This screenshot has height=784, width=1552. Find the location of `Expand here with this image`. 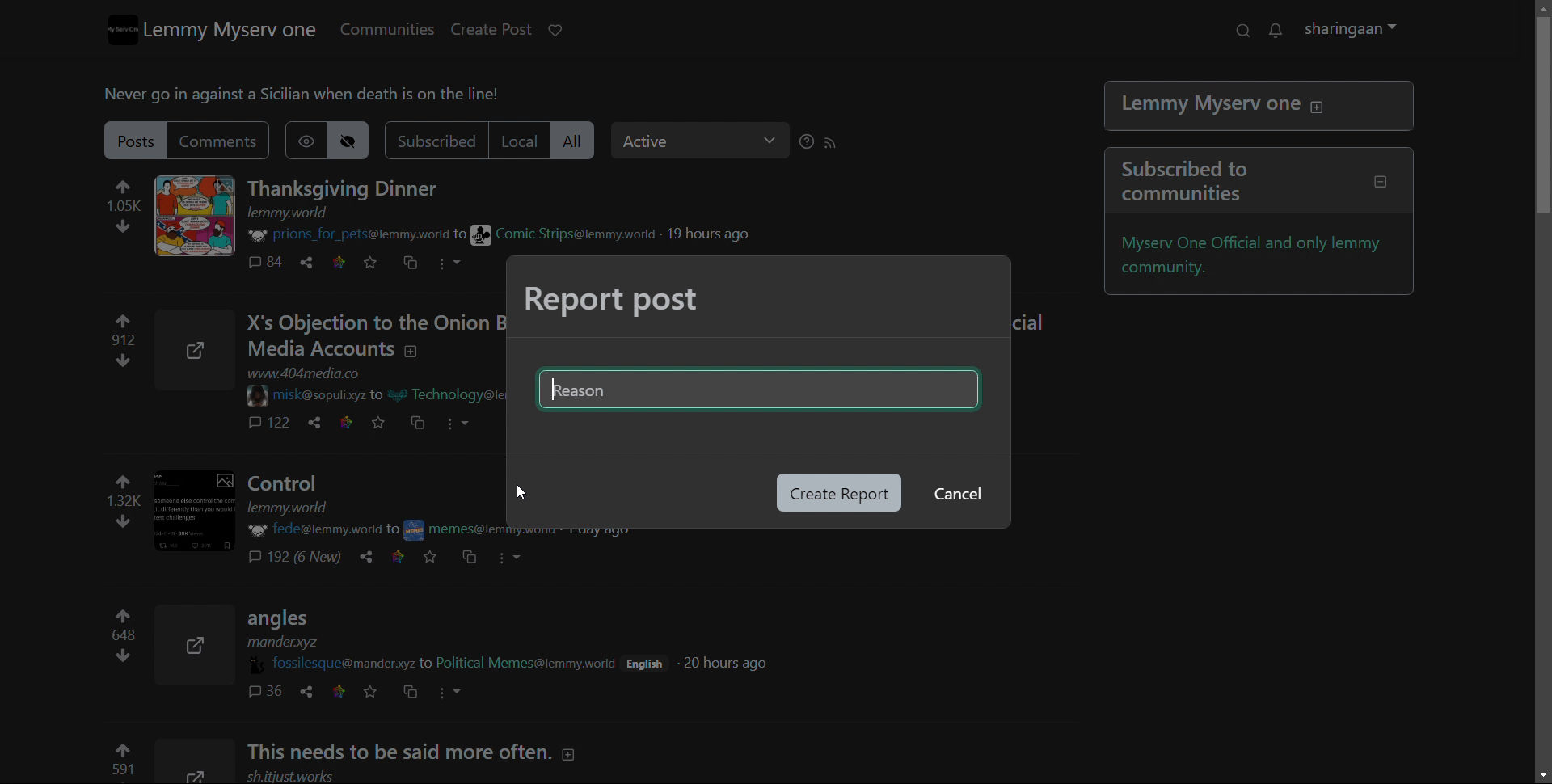

Expand here with this image is located at coordinates (204, 512).